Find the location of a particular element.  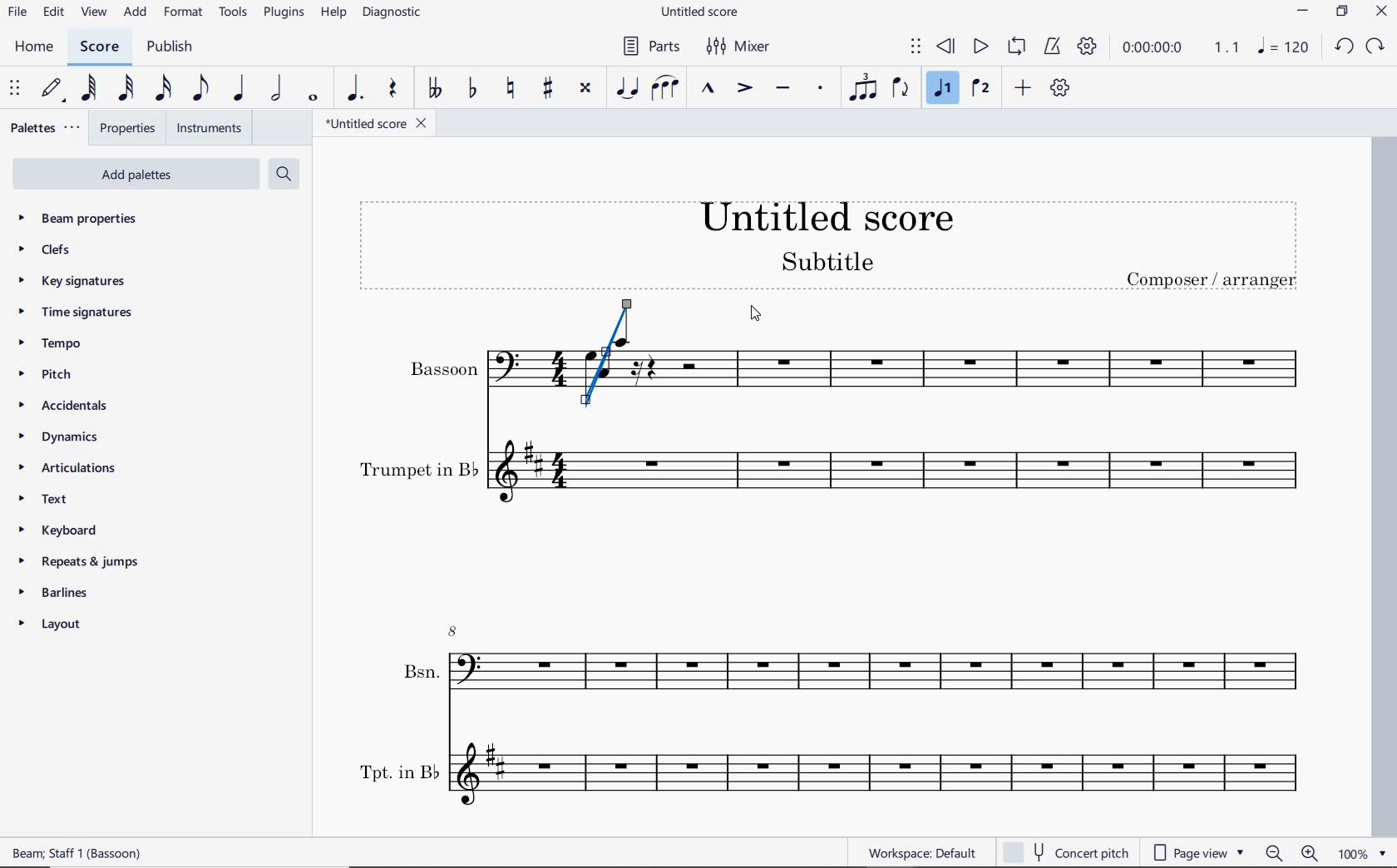

Bsn. is located at coordinates (849, 666).